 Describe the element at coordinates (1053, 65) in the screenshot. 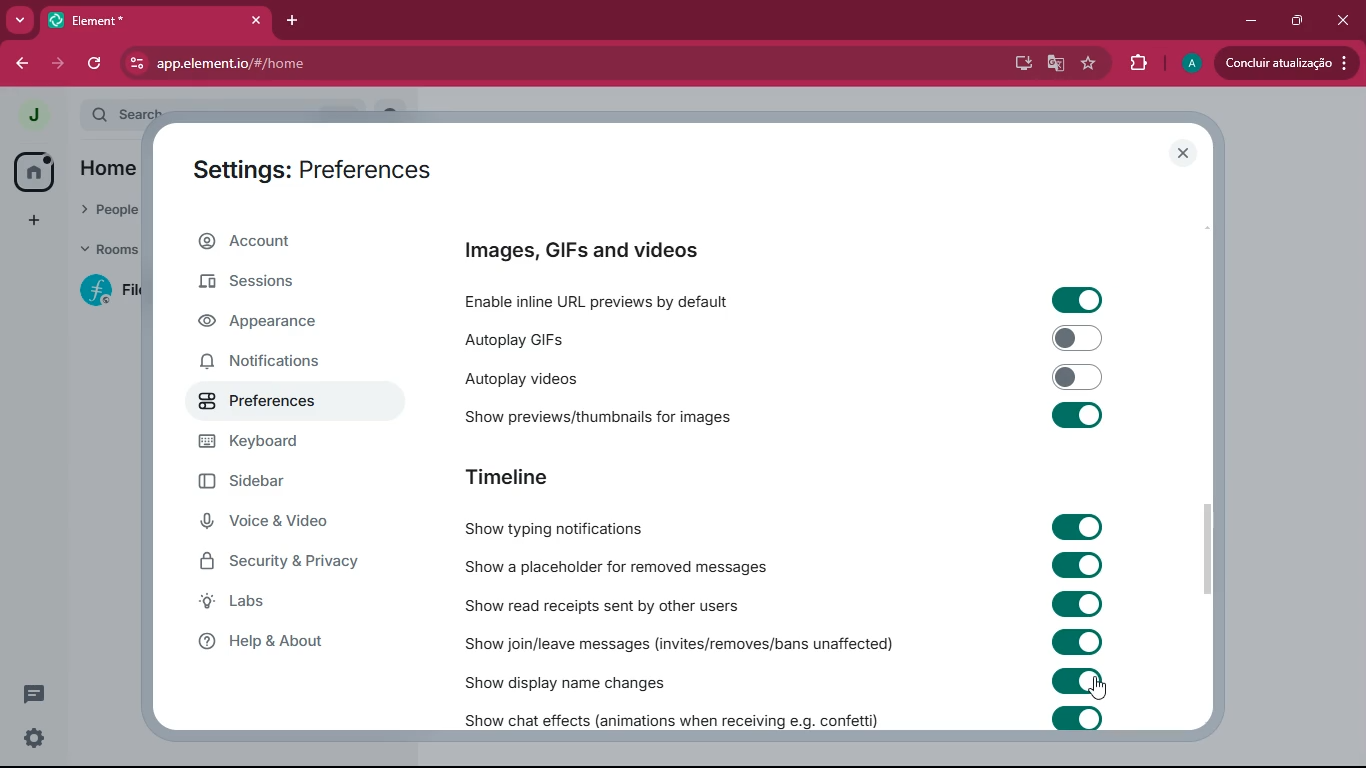

I see `google translate` at that location.